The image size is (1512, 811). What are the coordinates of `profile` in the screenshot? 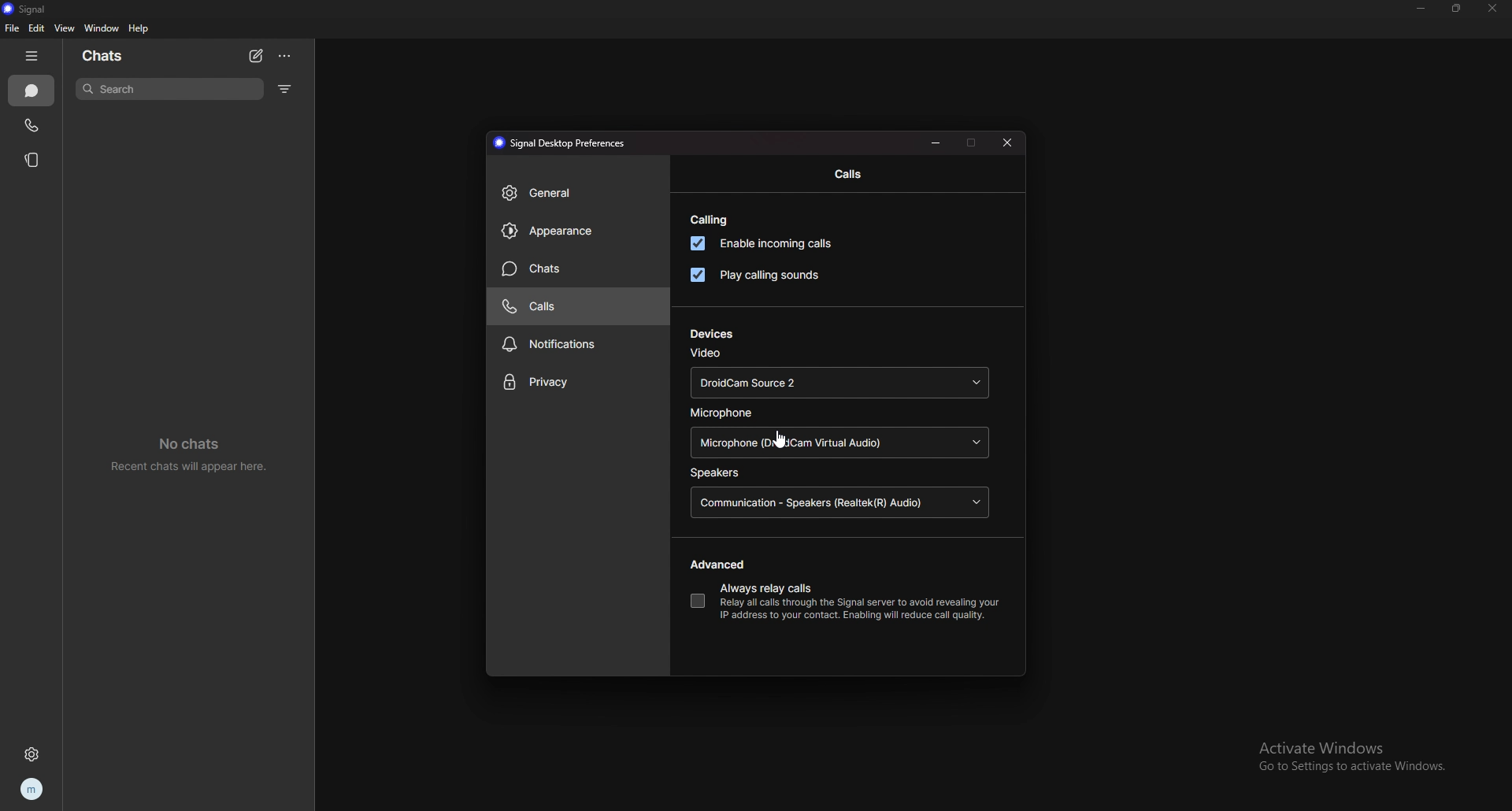 It's located at (31, 791).